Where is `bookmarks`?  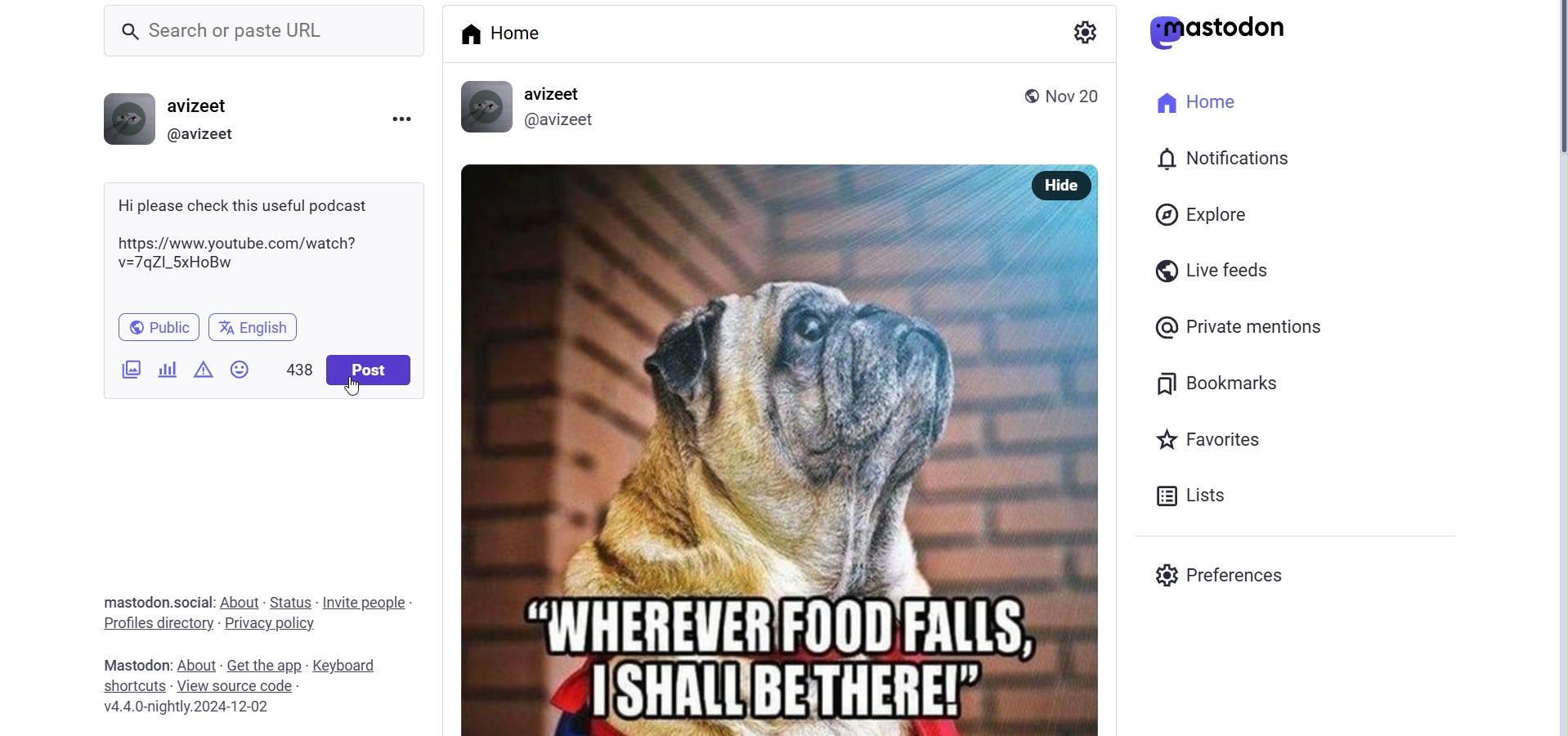 bookmarks is located at coordinates (1221, 384).